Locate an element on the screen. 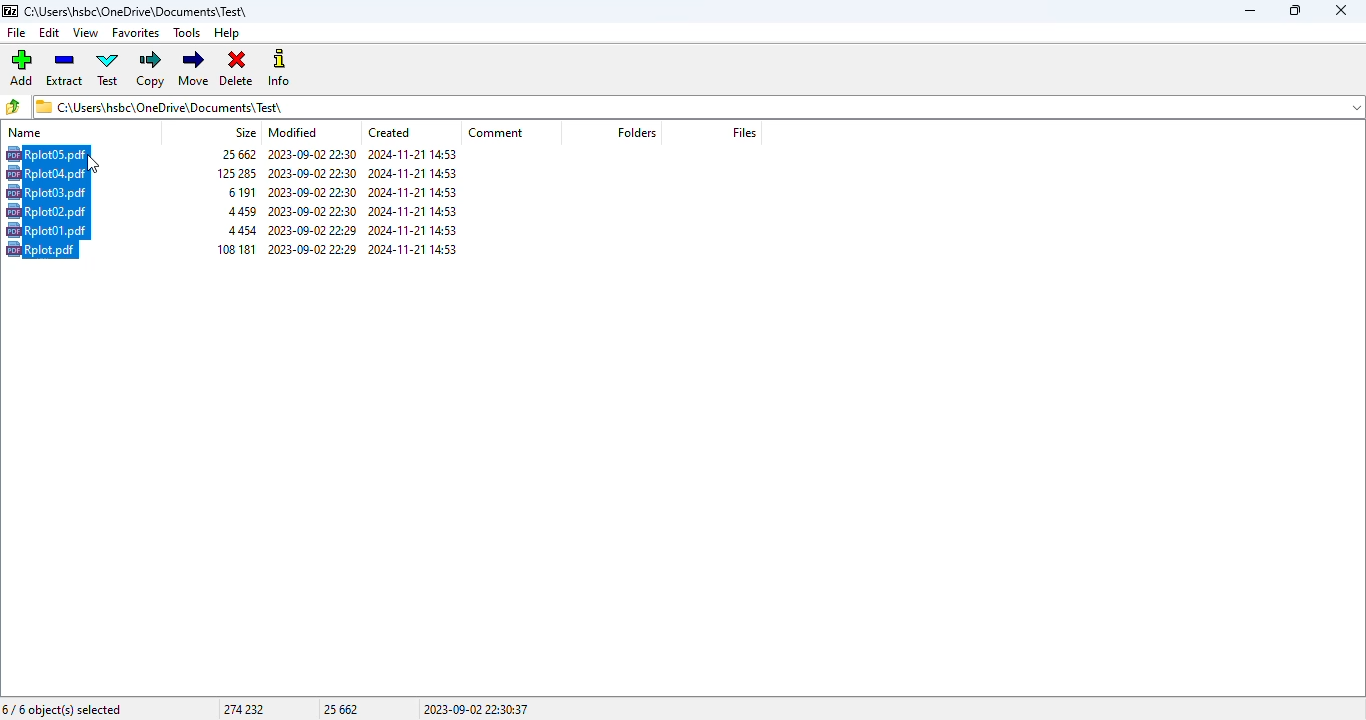 The height and width of the screenshot is (720, 1366). test is located at coordinates (108, 69).